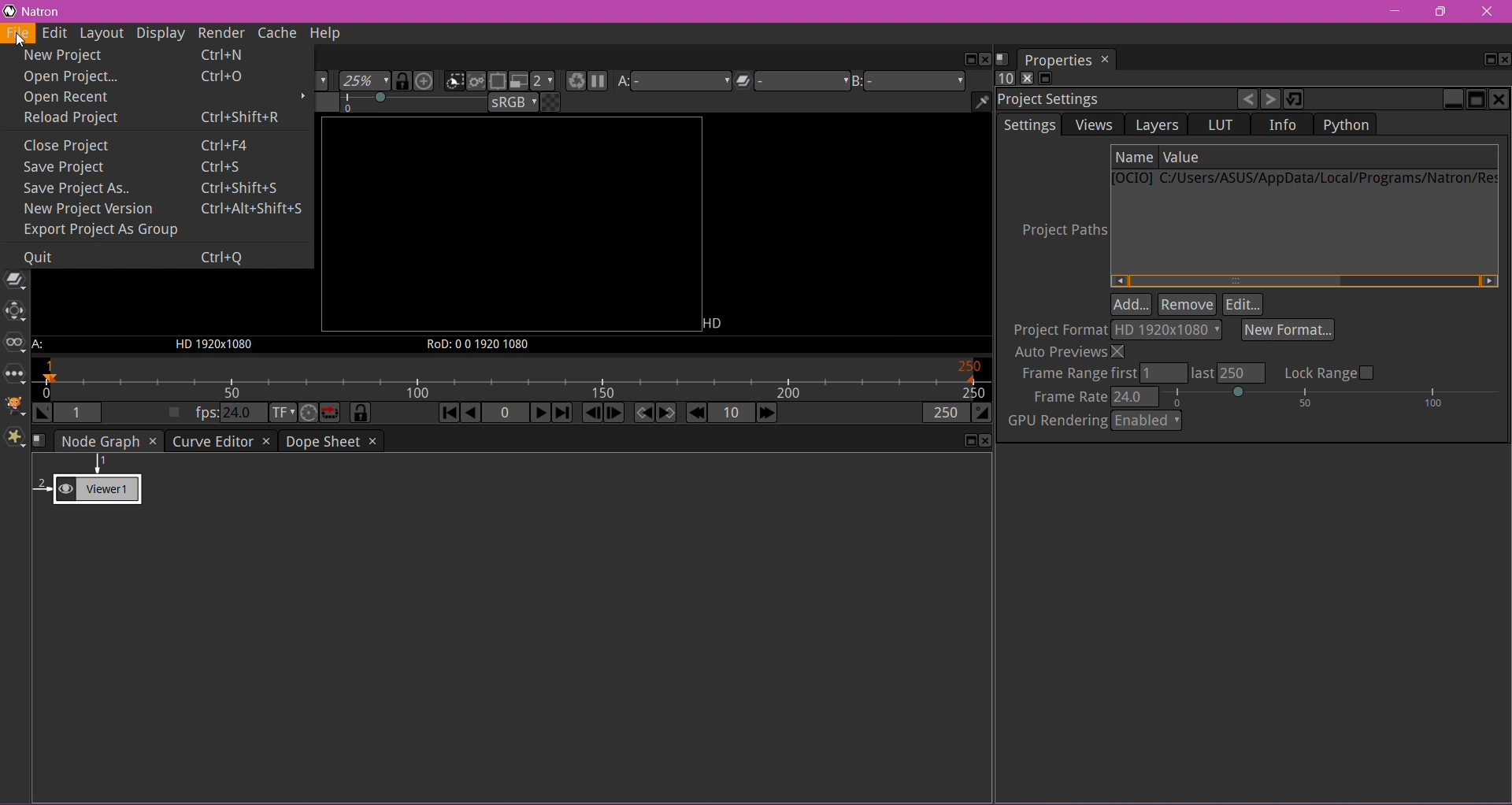  I want to click on Next Keyframe, so click(668, 414).